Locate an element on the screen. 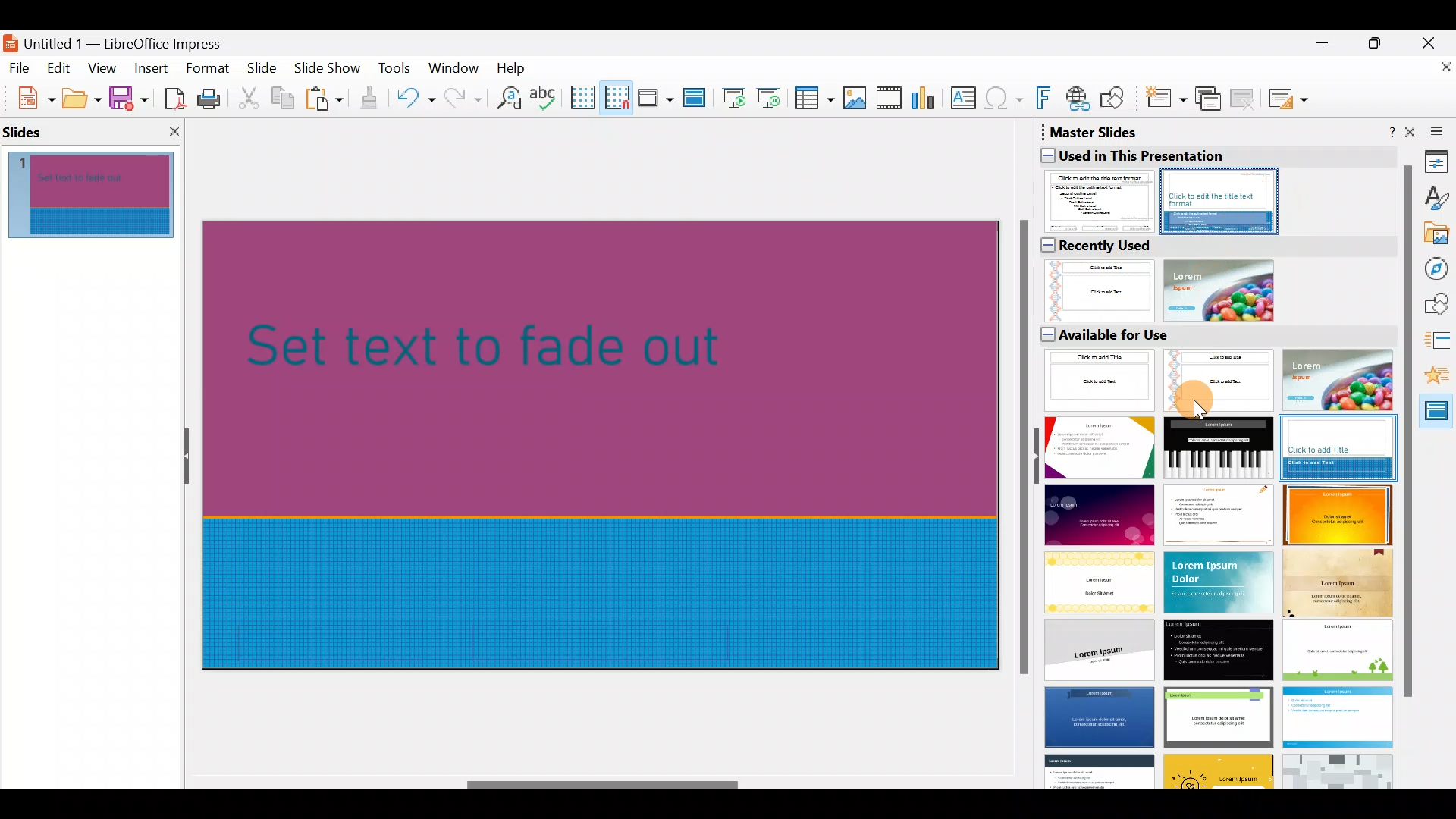  close slide is located at coordinates (177, 127).